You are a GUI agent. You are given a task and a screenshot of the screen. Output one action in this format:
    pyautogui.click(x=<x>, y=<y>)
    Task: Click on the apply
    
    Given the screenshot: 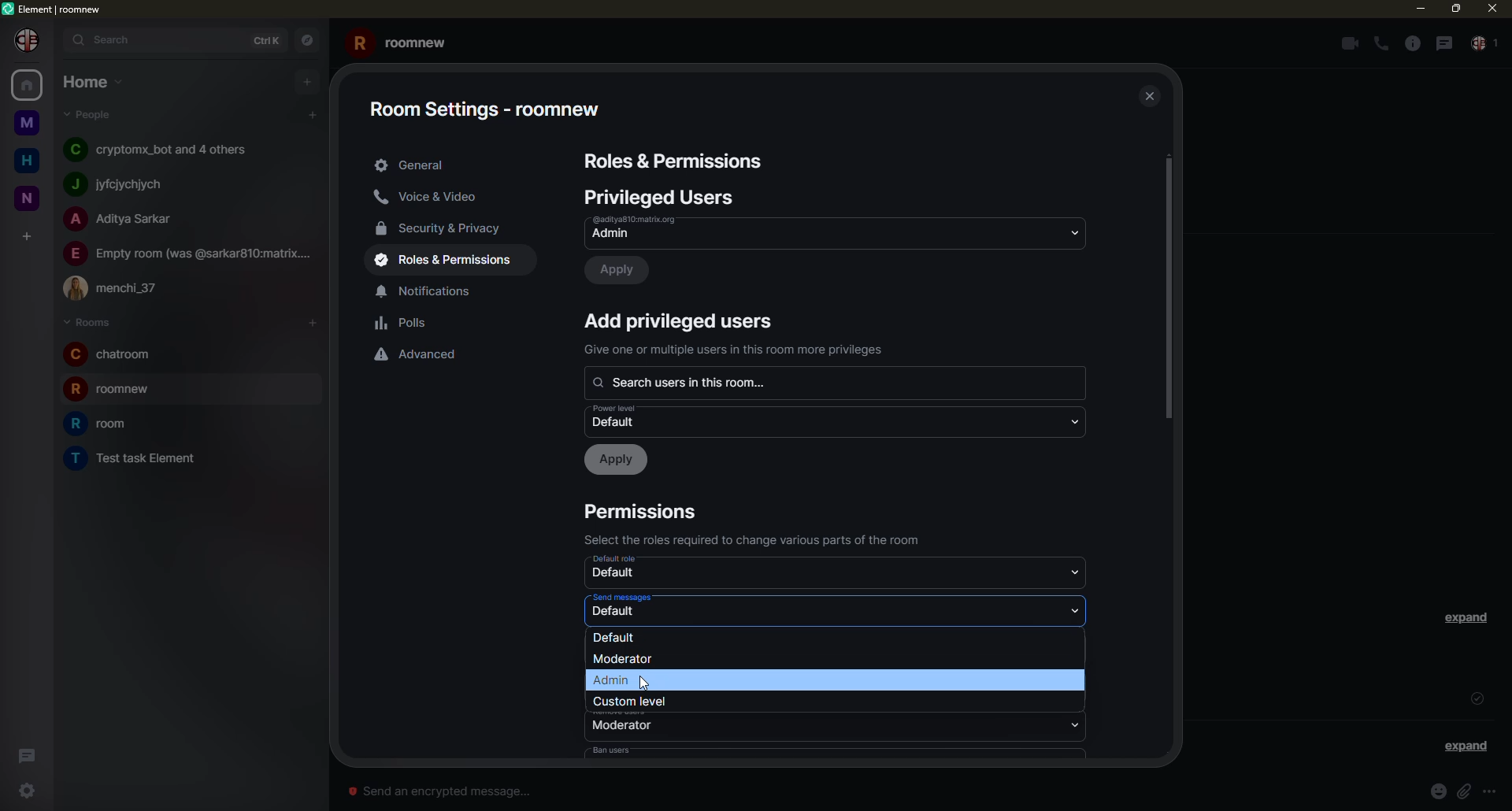 What is the action you would take?
    pyautogui.click(x=621, y=270)
    